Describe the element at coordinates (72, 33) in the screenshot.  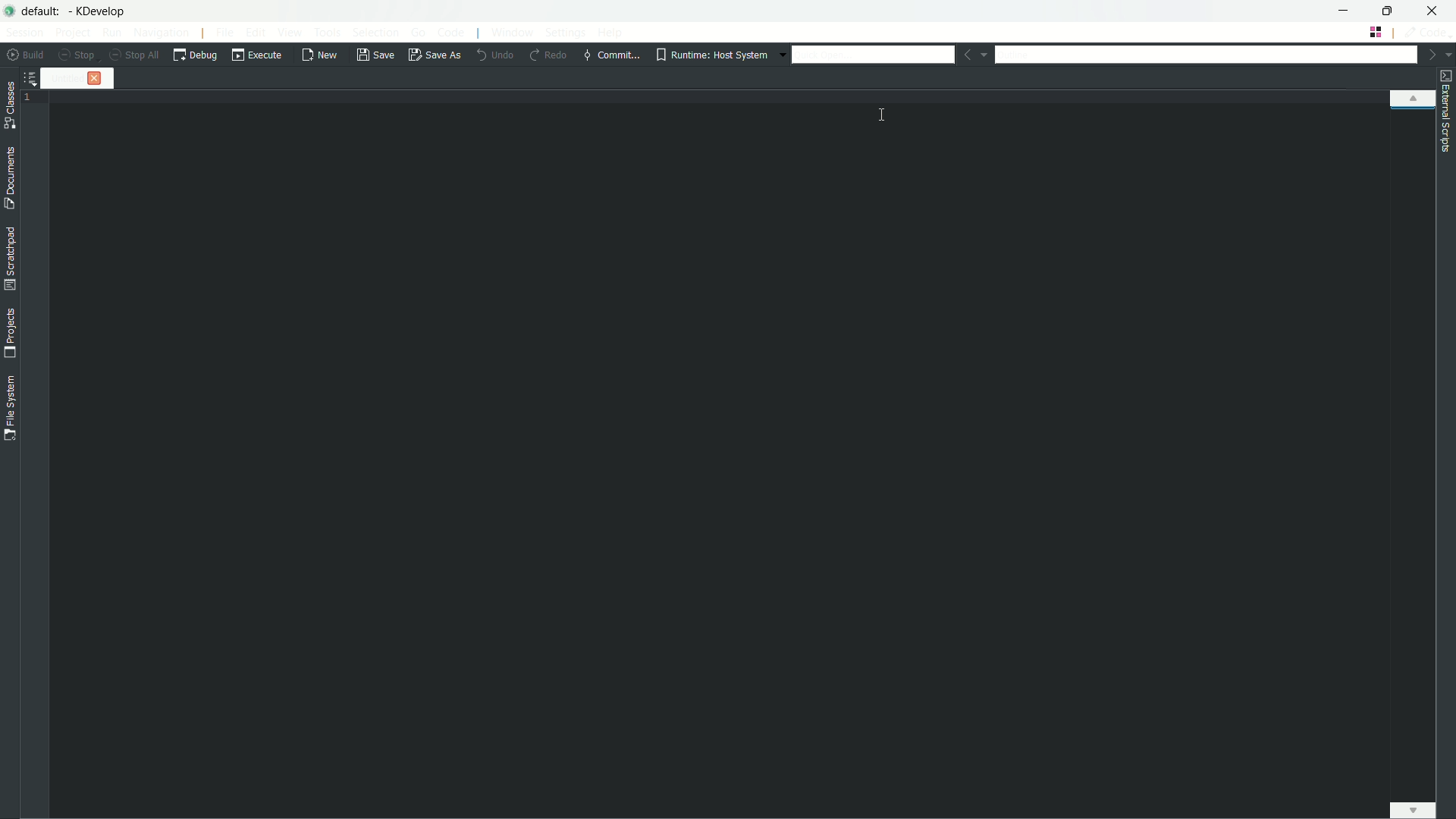
I see `project` at that location.